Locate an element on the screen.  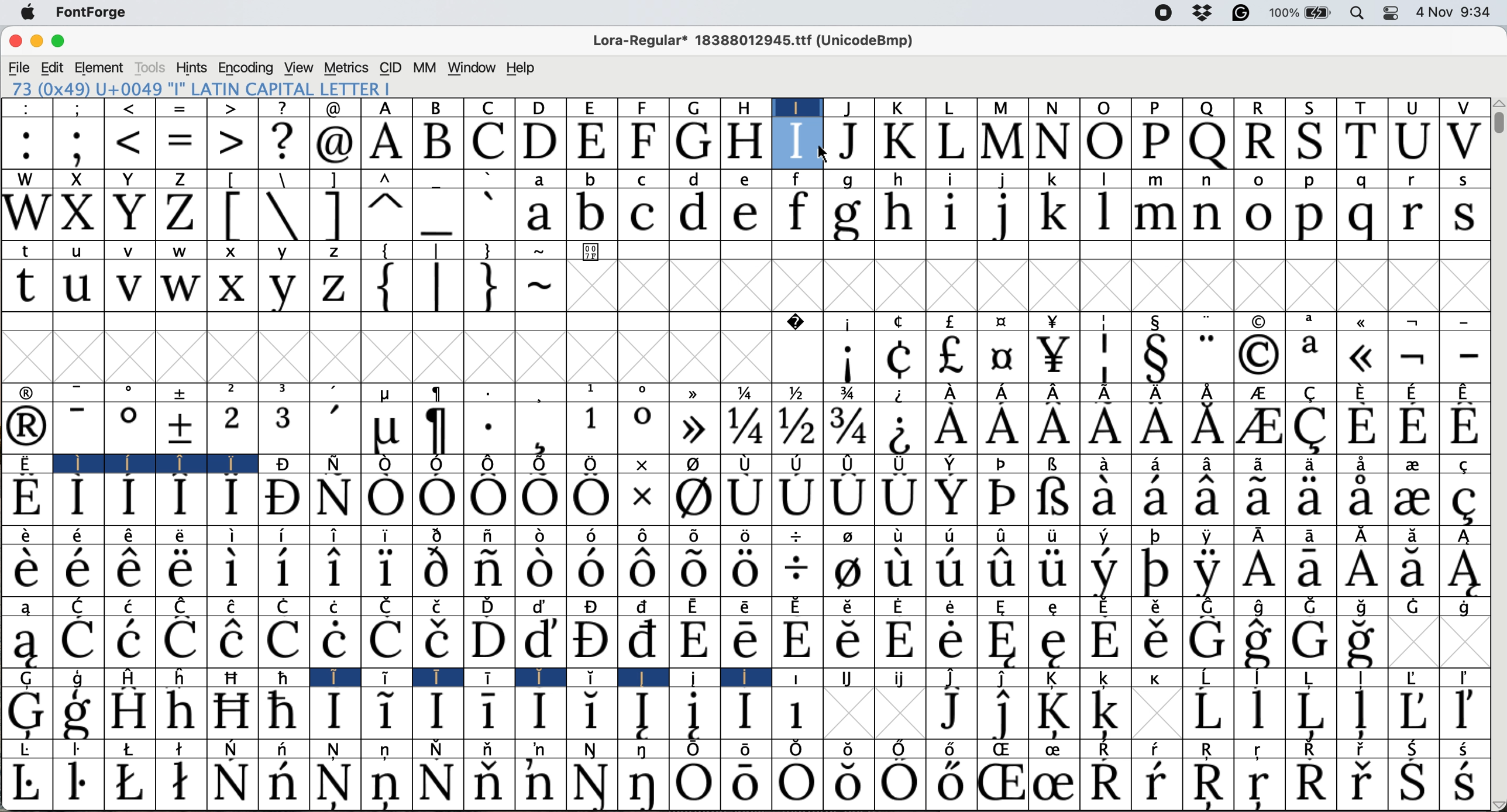
^ is located at coordinates (387, 180).